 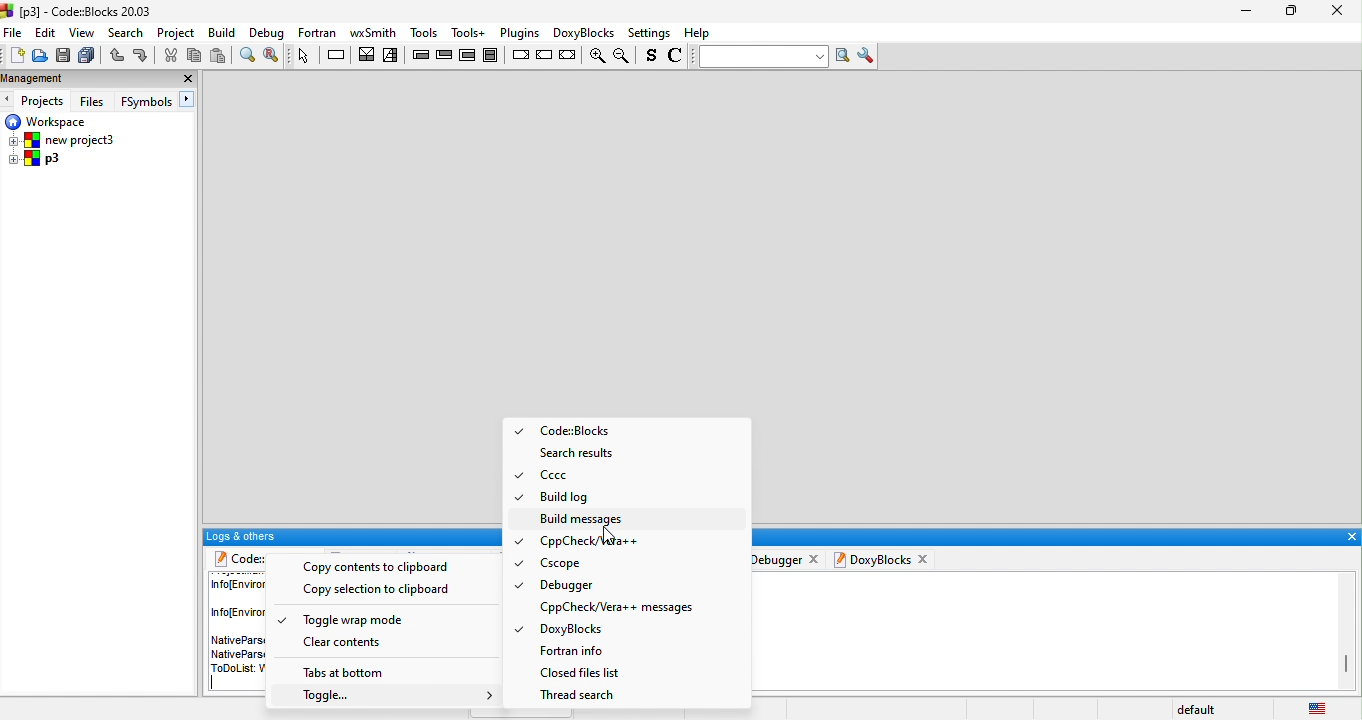 I want to click on select, so click(x=305, y=55).